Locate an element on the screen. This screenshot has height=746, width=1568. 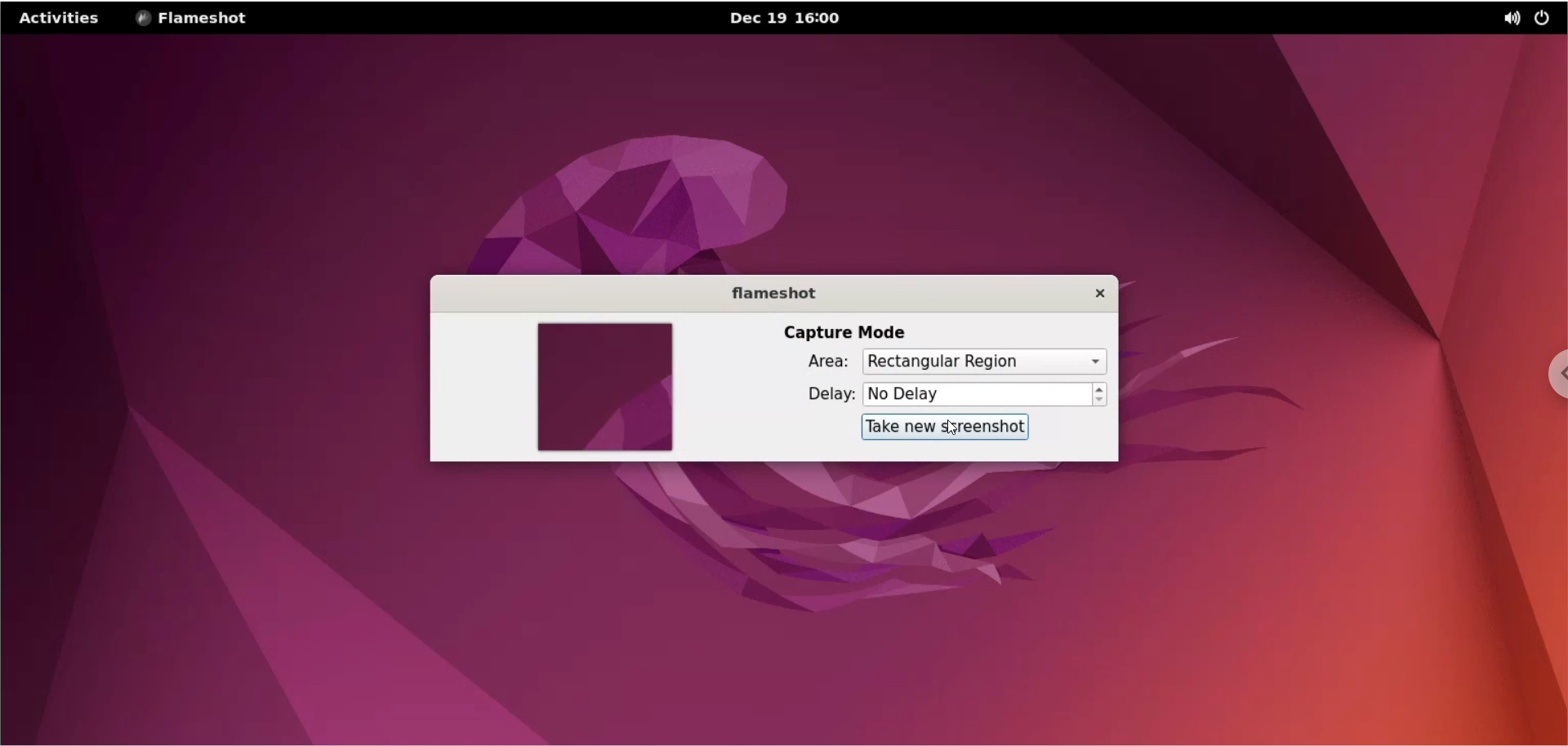
take new screenshot is located at coordinates (942, 431).